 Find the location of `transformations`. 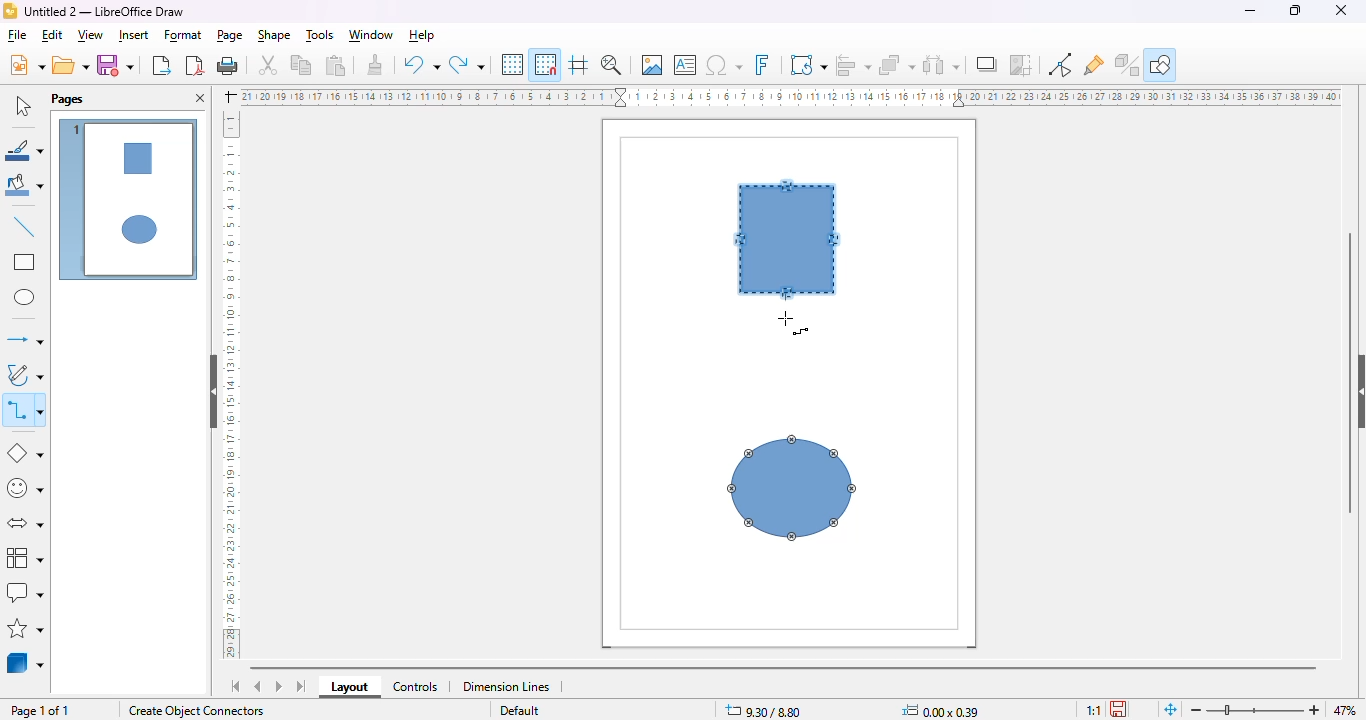

transformations is located at coordinates (808, 65).